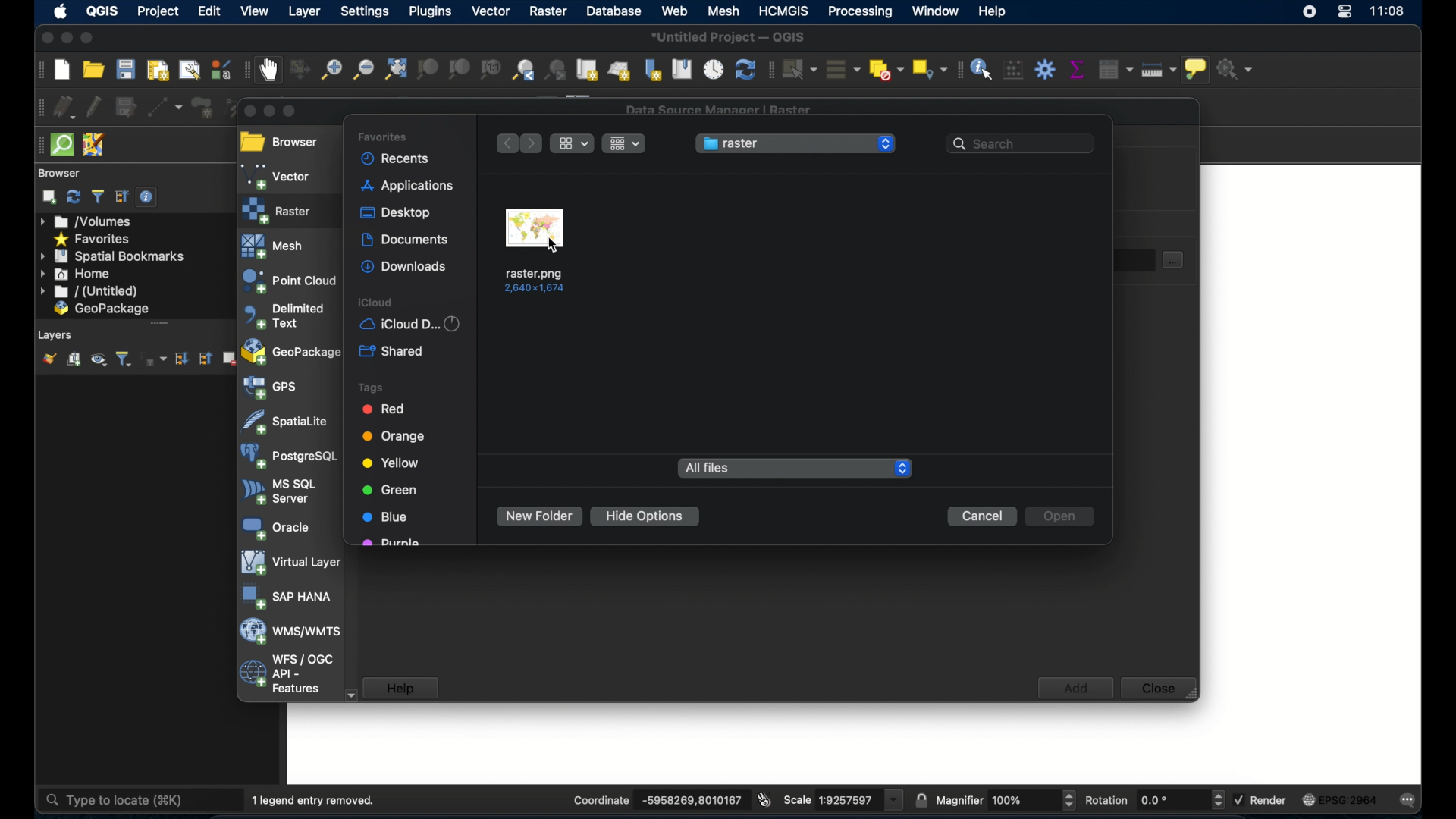 The image size is (1456, 819). I want to click on scale, so click(845, 800).